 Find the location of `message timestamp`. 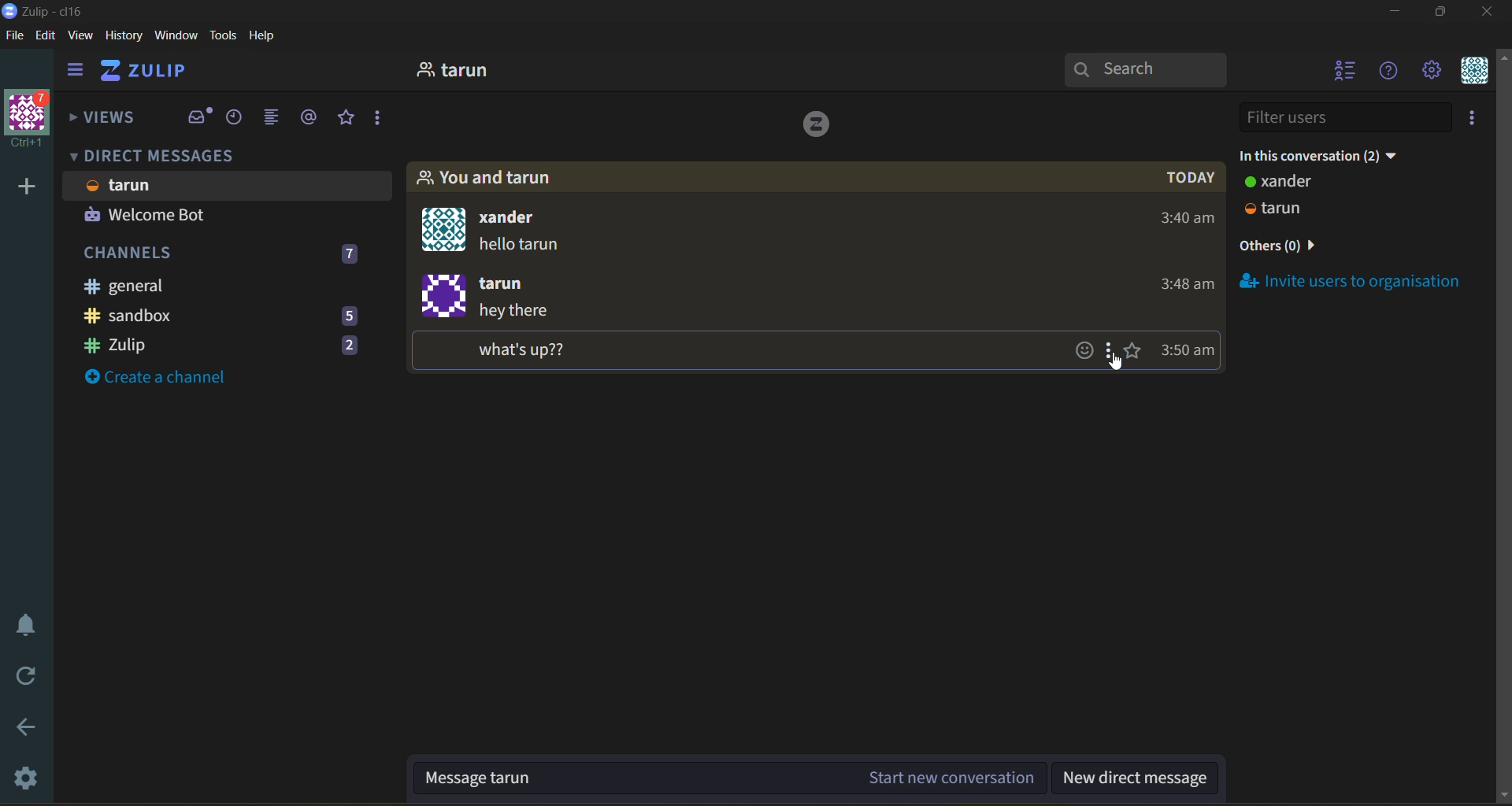

message timestamp is located at coordinates (1191, 353).